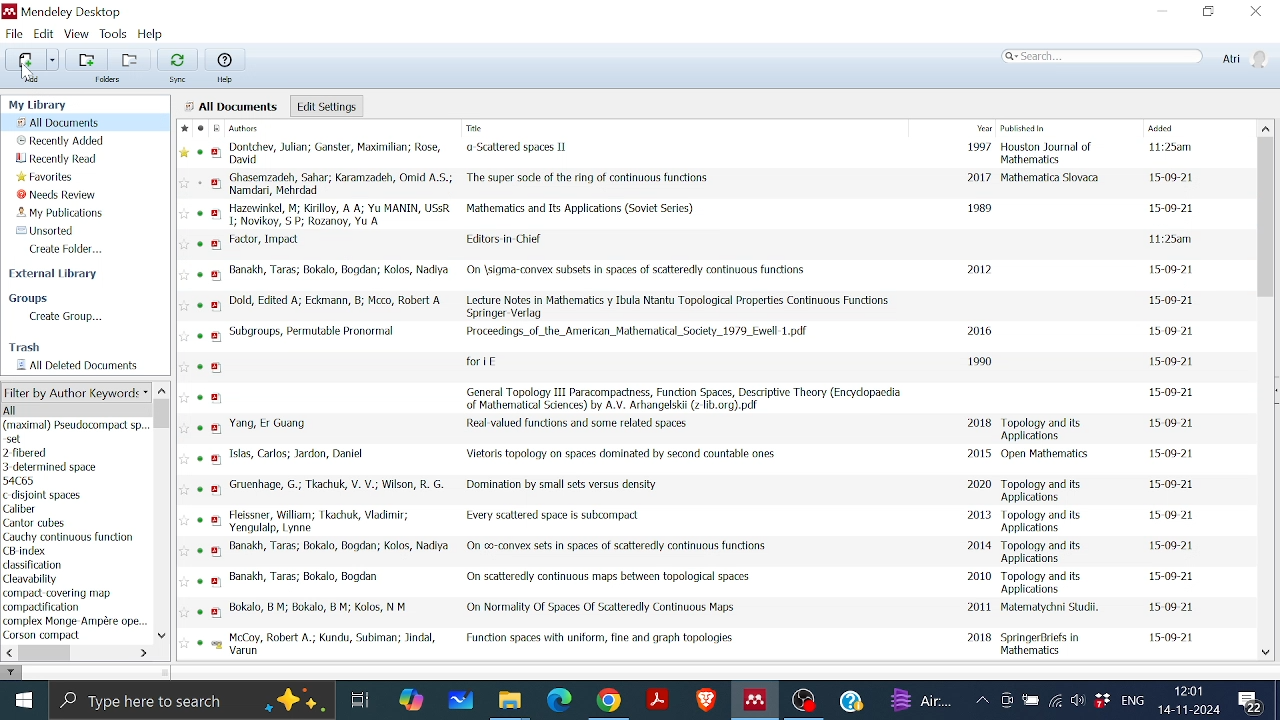  What do you see at coordinates (200, 398) in the screenshot?
I see `read status` at bounding box center [200, 398].